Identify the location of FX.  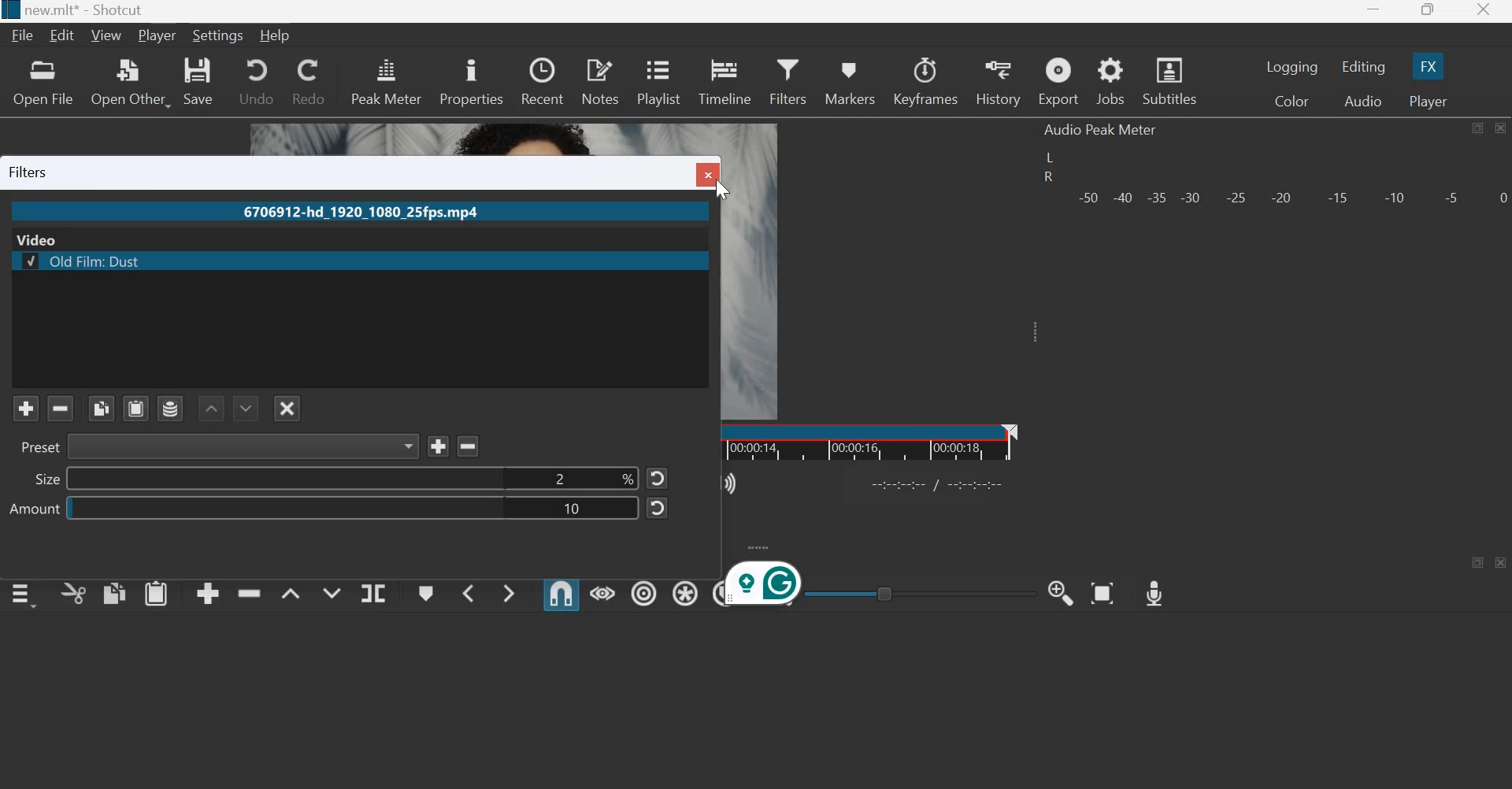
(1426, 66).